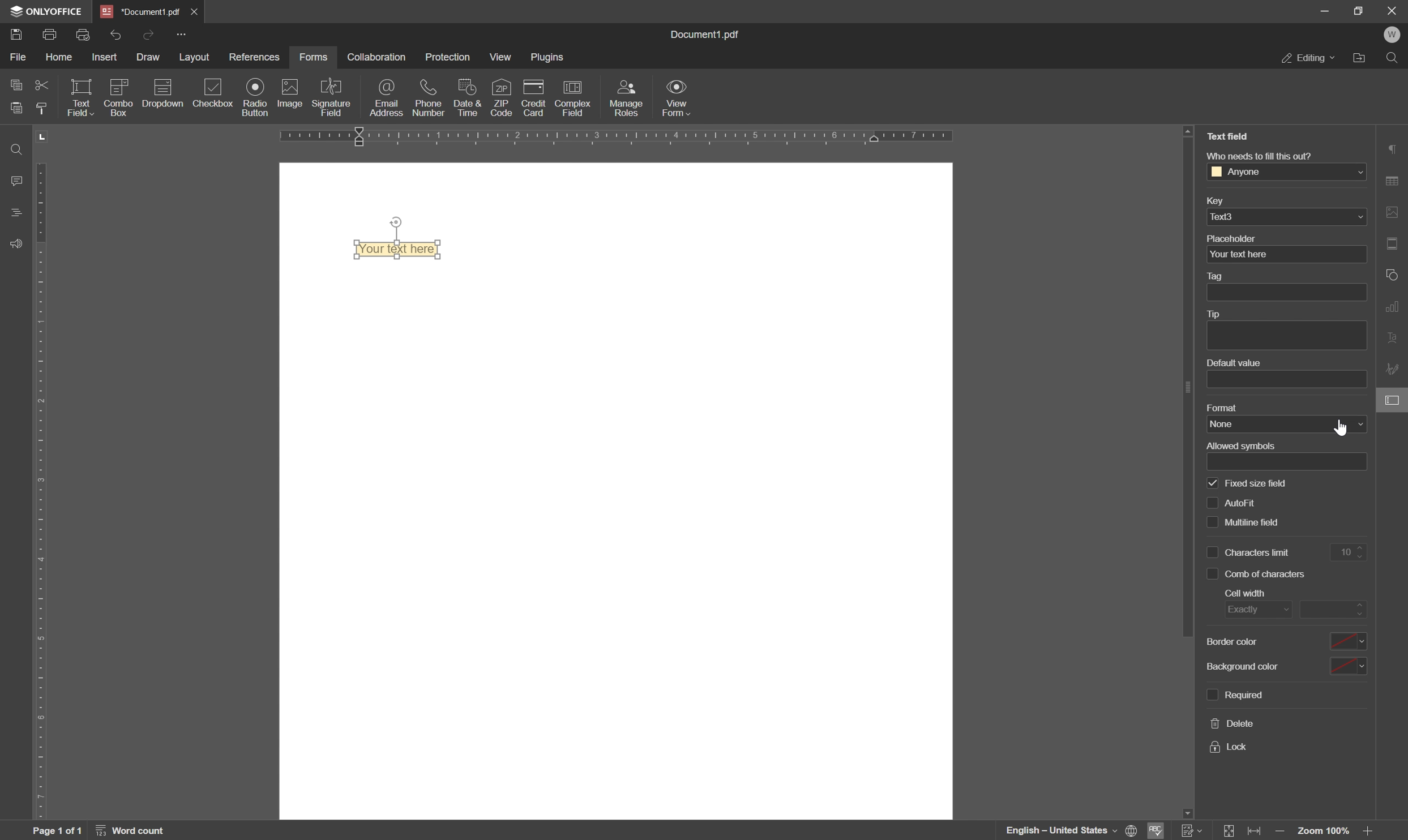 The width and height of the screenshot is (1408, 840). What do you see at coordinates (1358, 10) in the screenshot?
I see `restore down` at bounding box center [1358, 10].